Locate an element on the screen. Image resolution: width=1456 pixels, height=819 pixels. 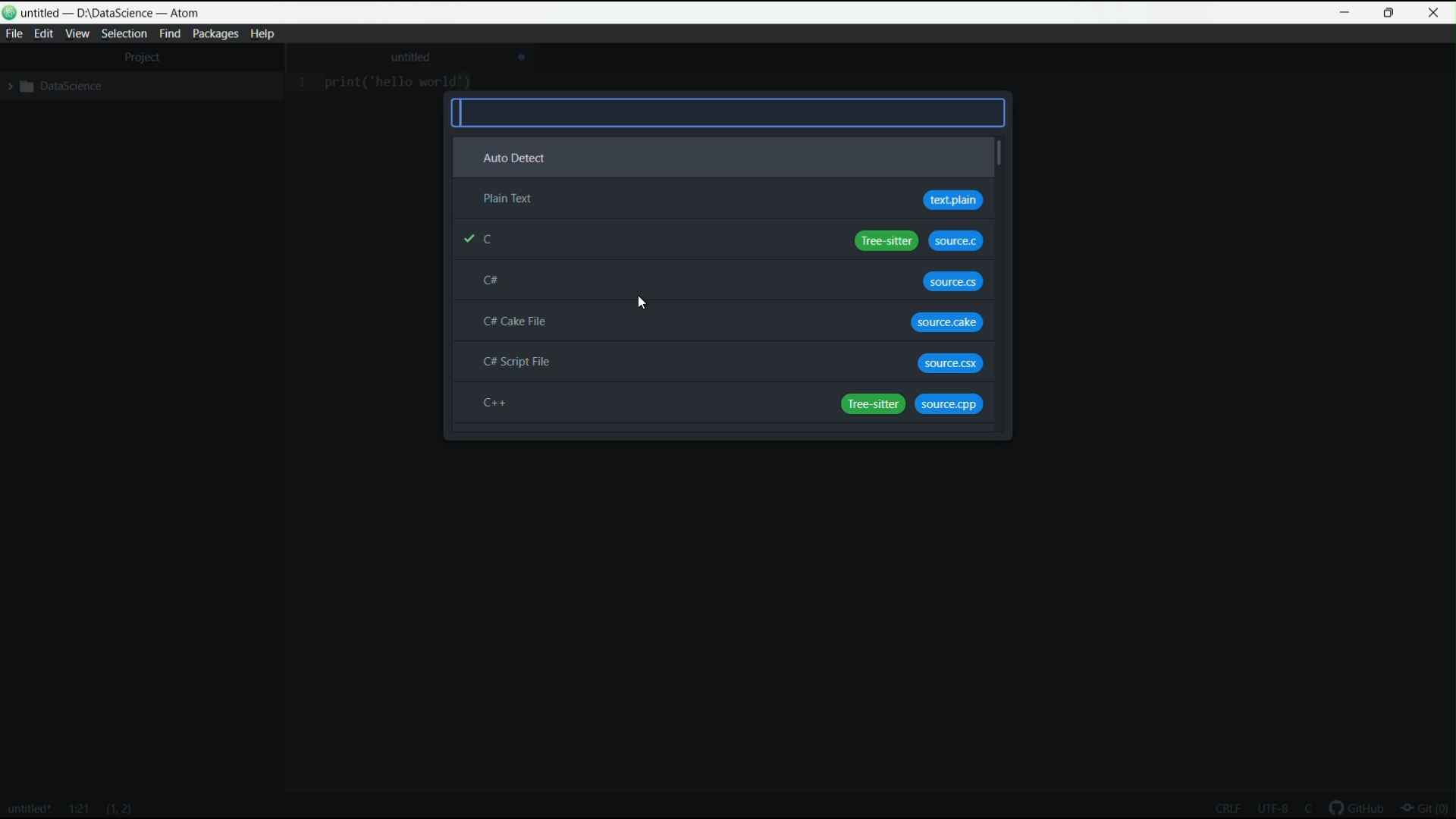
packages menu is located at coordinates (215, 33).